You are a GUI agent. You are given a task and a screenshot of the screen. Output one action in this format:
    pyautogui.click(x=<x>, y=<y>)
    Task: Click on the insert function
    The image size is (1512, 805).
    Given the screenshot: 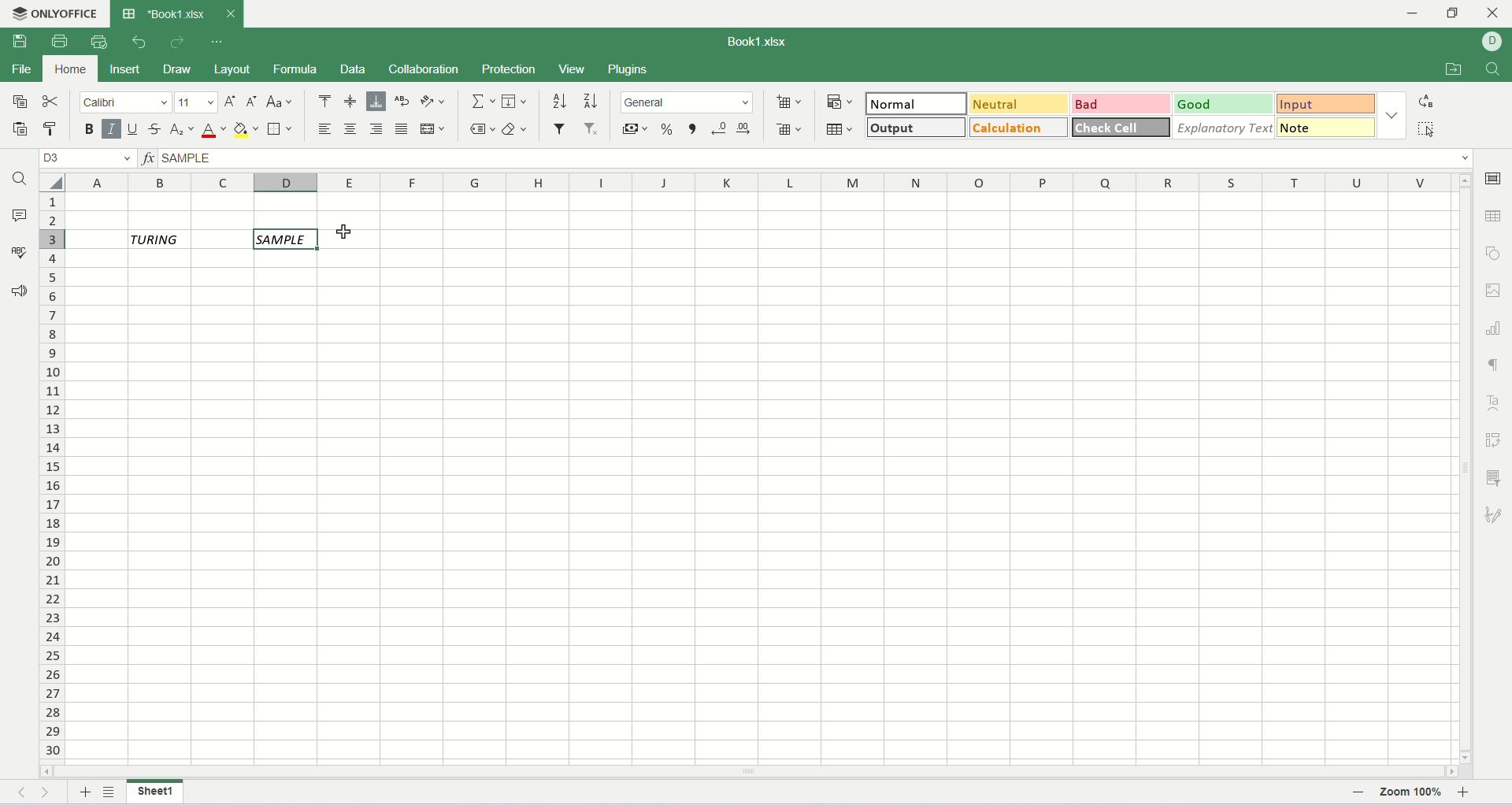 What is the action you would take?
    pyautogui.click(x=149, y=157)
    